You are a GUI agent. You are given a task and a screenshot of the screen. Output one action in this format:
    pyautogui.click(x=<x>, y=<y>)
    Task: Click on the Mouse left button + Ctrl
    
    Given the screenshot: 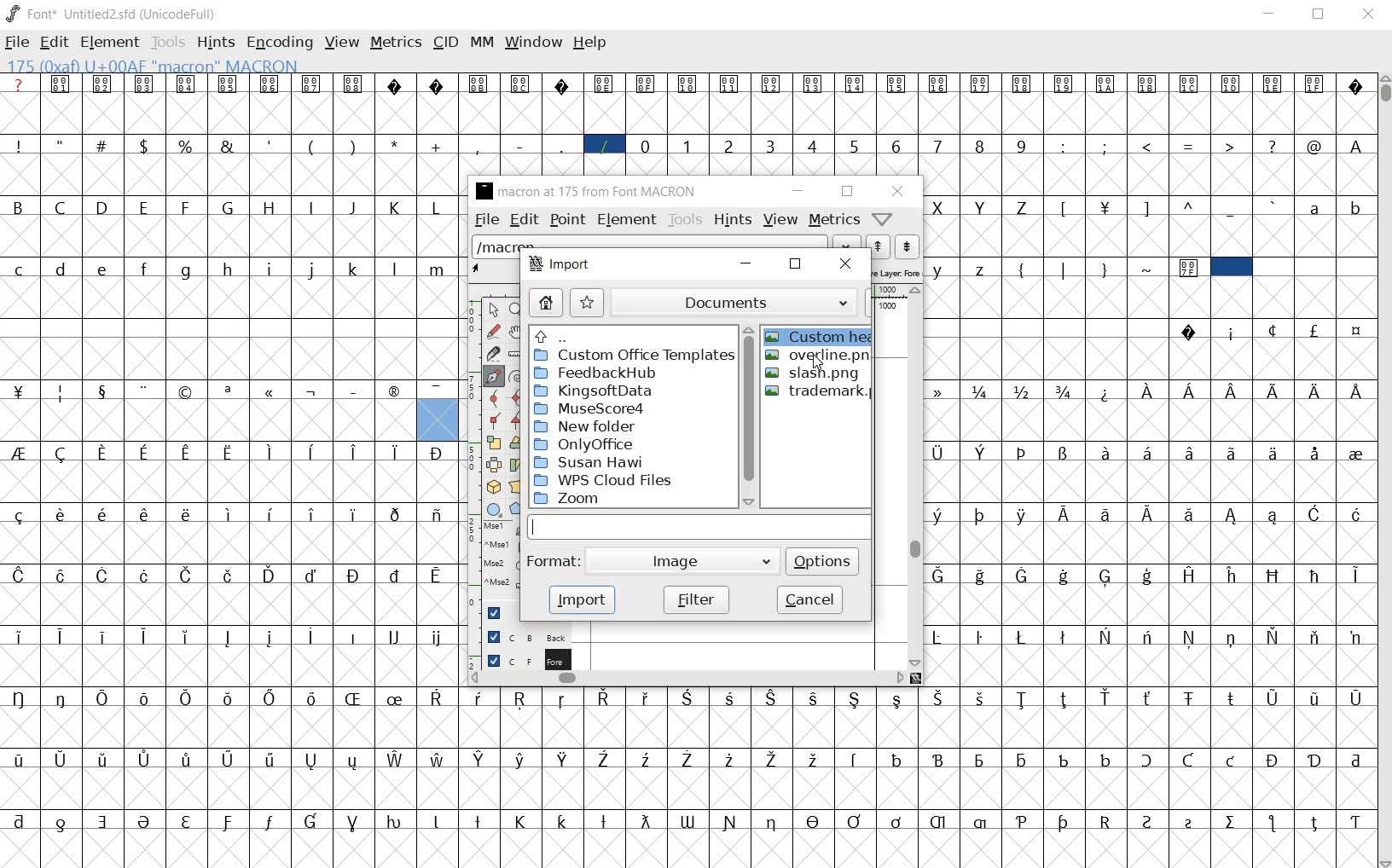 What is the action you would take?
    pyautogui.click(x=501, y=547)
    